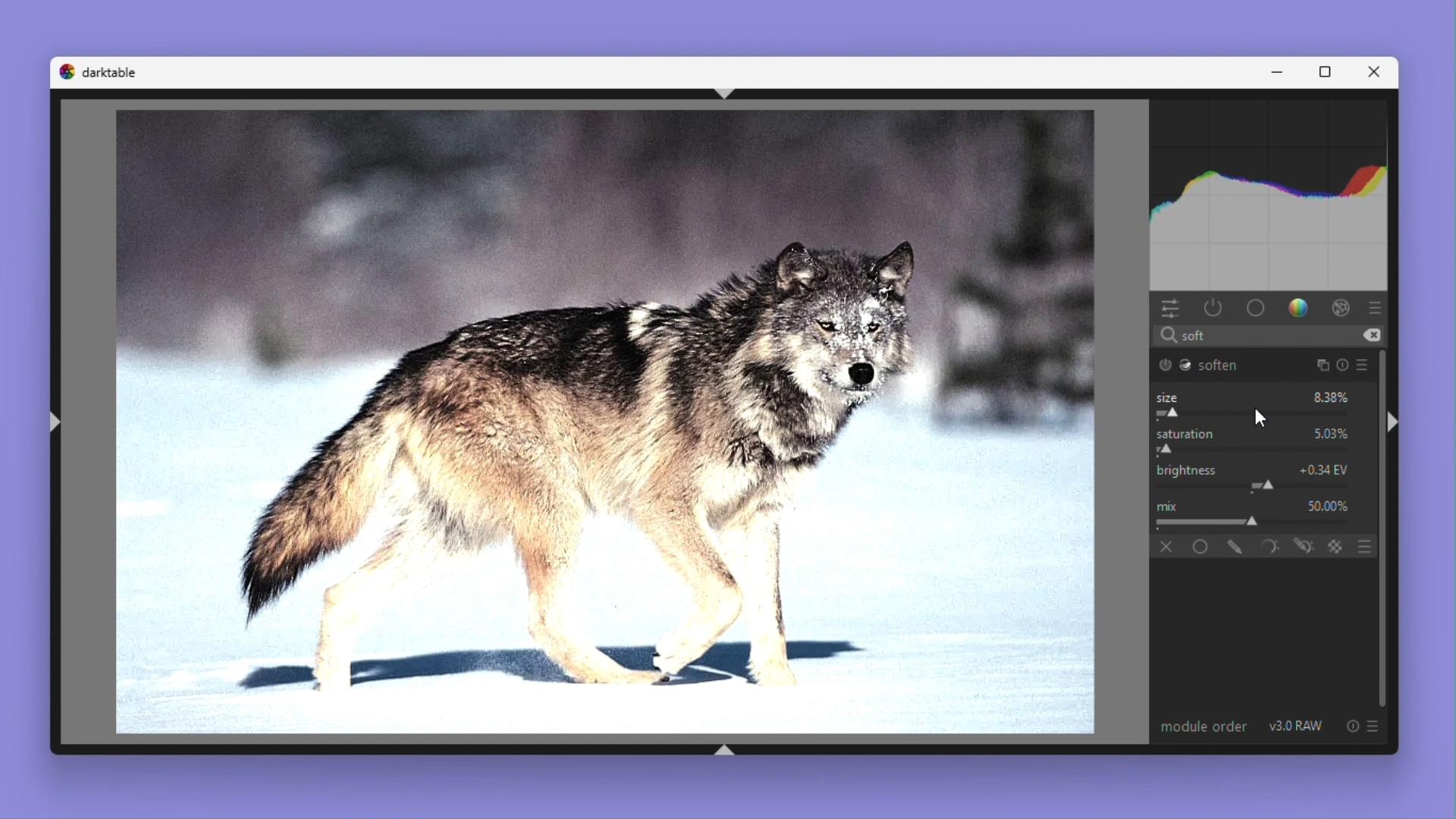 The image size is (1456, 819). Describe the element at coordinates (1336, 545) in the screenshot. I see `raster mask` at that location.